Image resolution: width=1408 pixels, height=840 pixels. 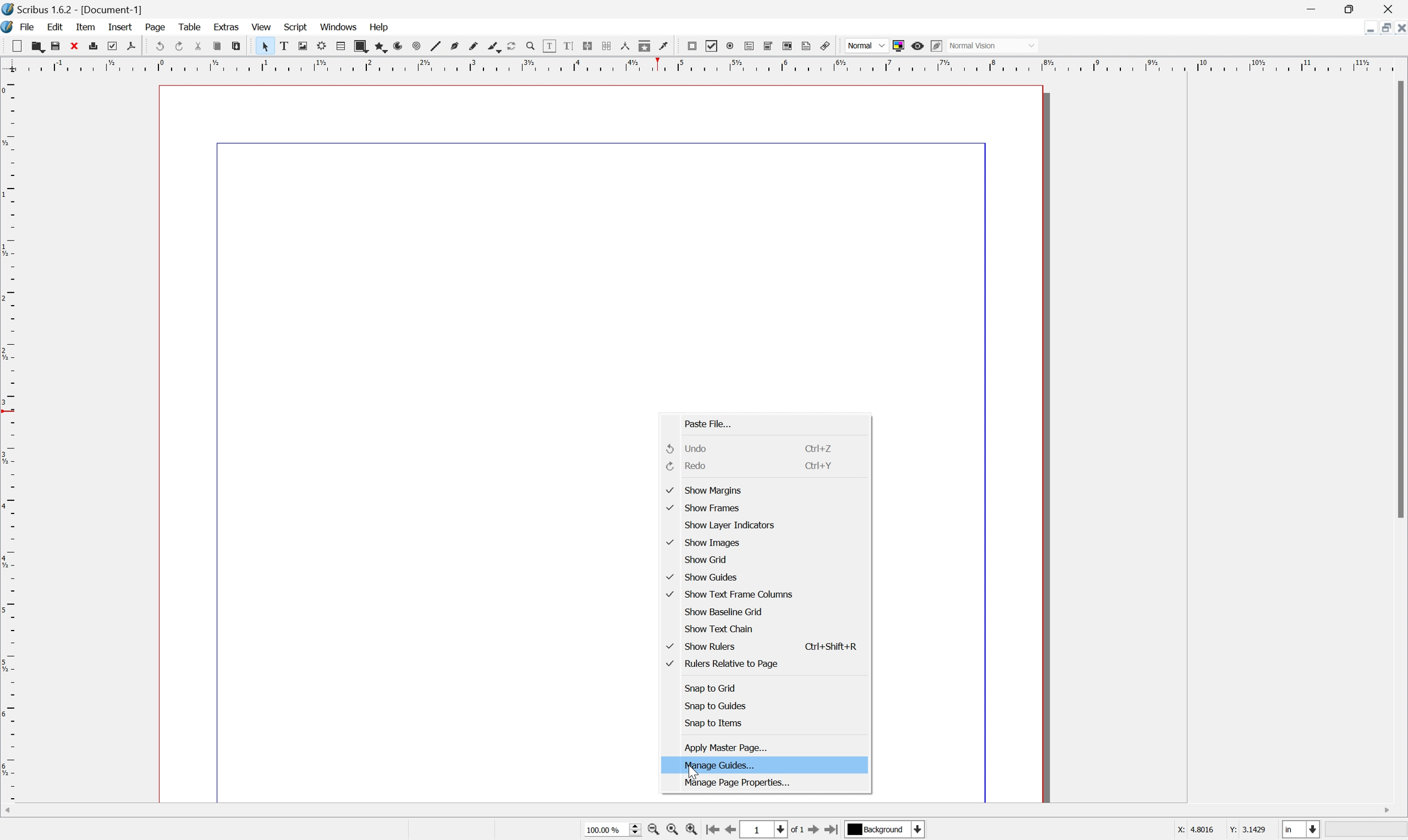 I want to click on scribus icon, so click(x=9, y=28).